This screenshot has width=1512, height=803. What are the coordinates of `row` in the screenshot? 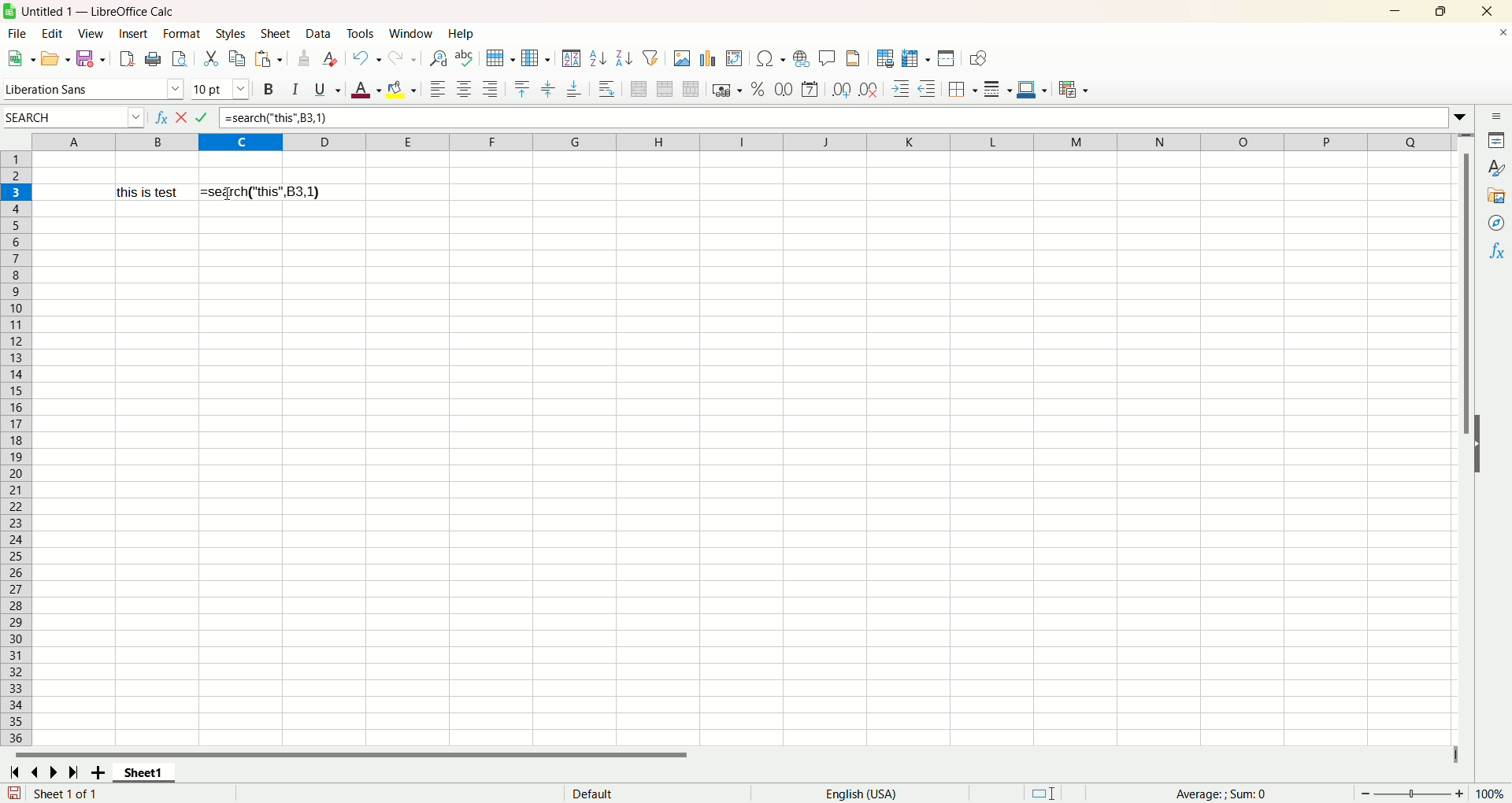 It's located at (498, 59).